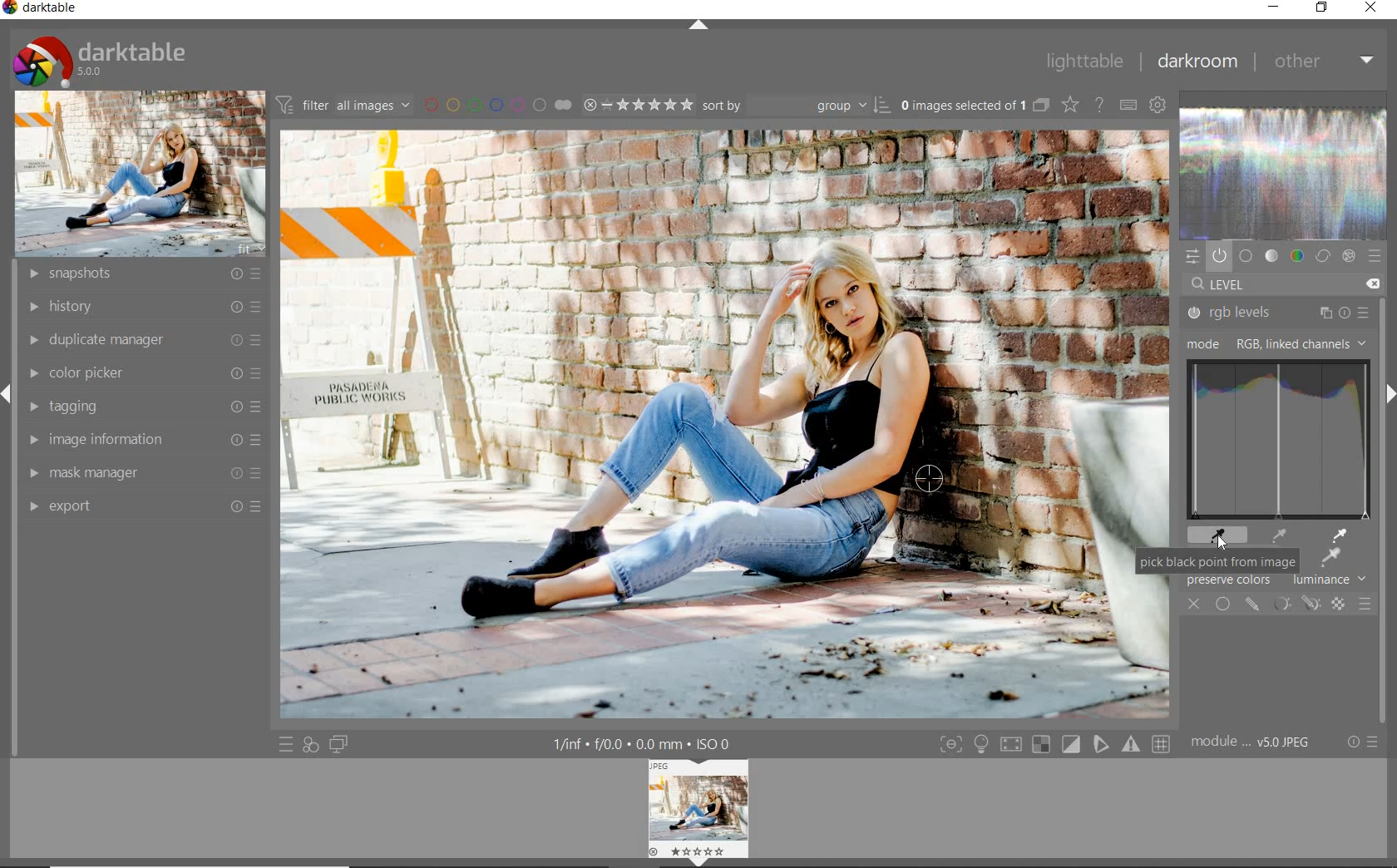 This screenshot has height=868, width=1397. What do you see at coordinates (1127, 104) in the screenshot?
I see `define keyboard shortcuts` at bounding box center [1127, 104].